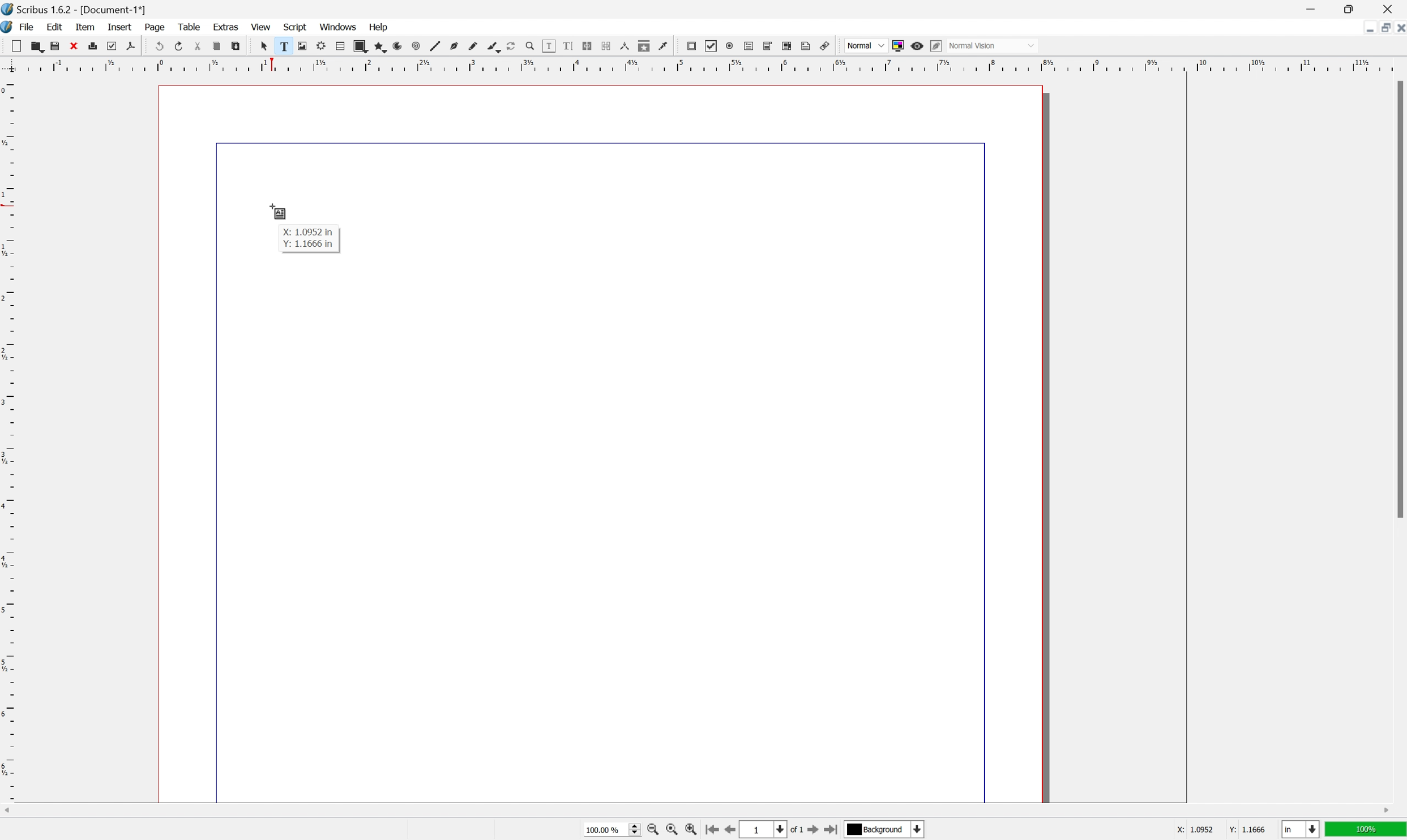 This screenshot has width=1407, height=840. I want to click on normal, so click(866, 45).